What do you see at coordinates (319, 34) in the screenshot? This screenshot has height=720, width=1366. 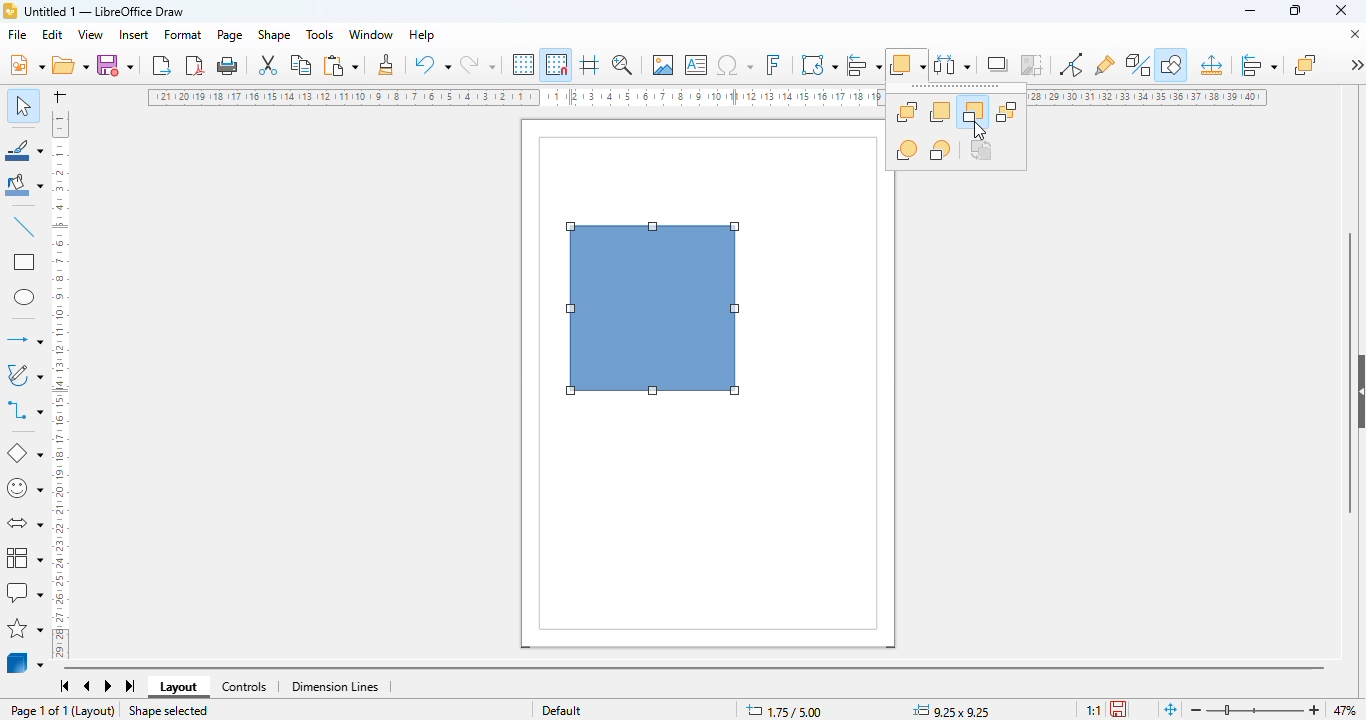 I see `tools ` at bounding box center [319, 34].